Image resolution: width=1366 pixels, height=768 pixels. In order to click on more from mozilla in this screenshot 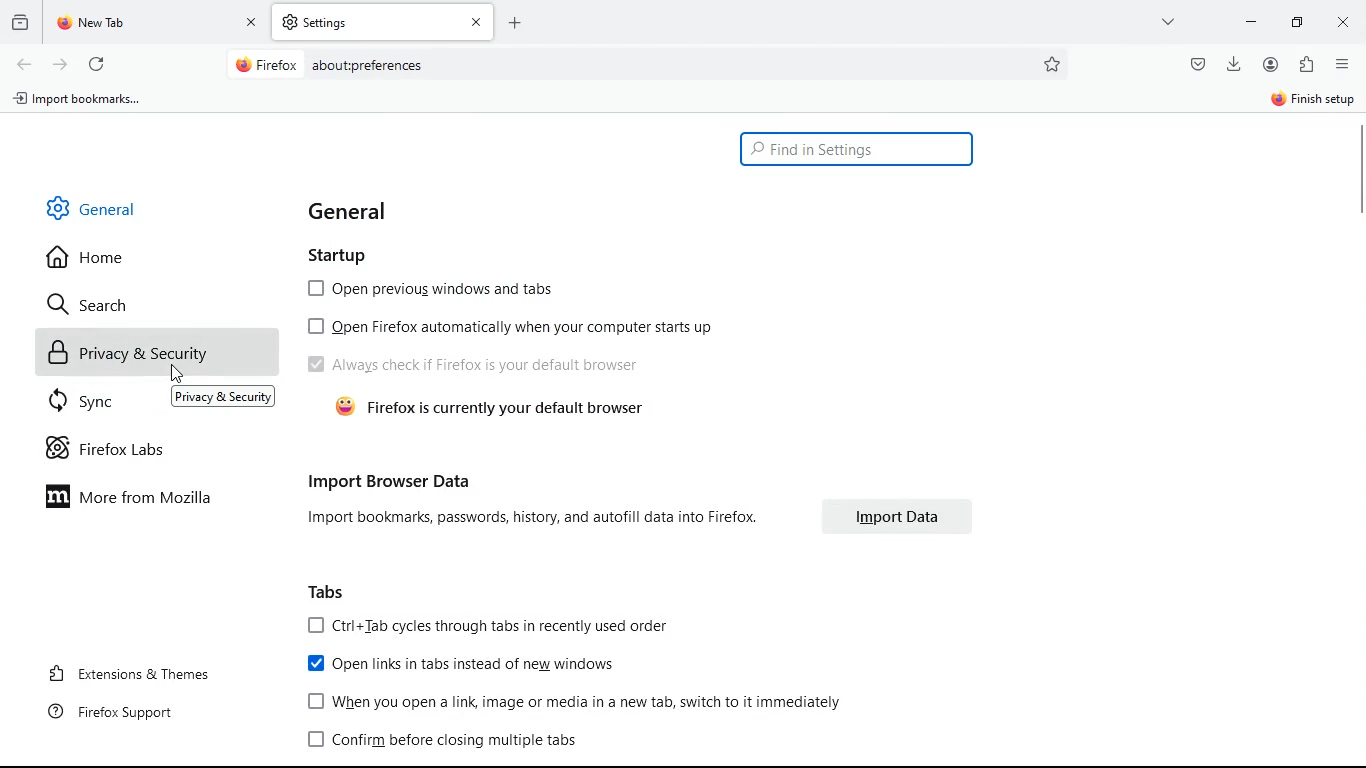, I will do `click(146, 500)`.